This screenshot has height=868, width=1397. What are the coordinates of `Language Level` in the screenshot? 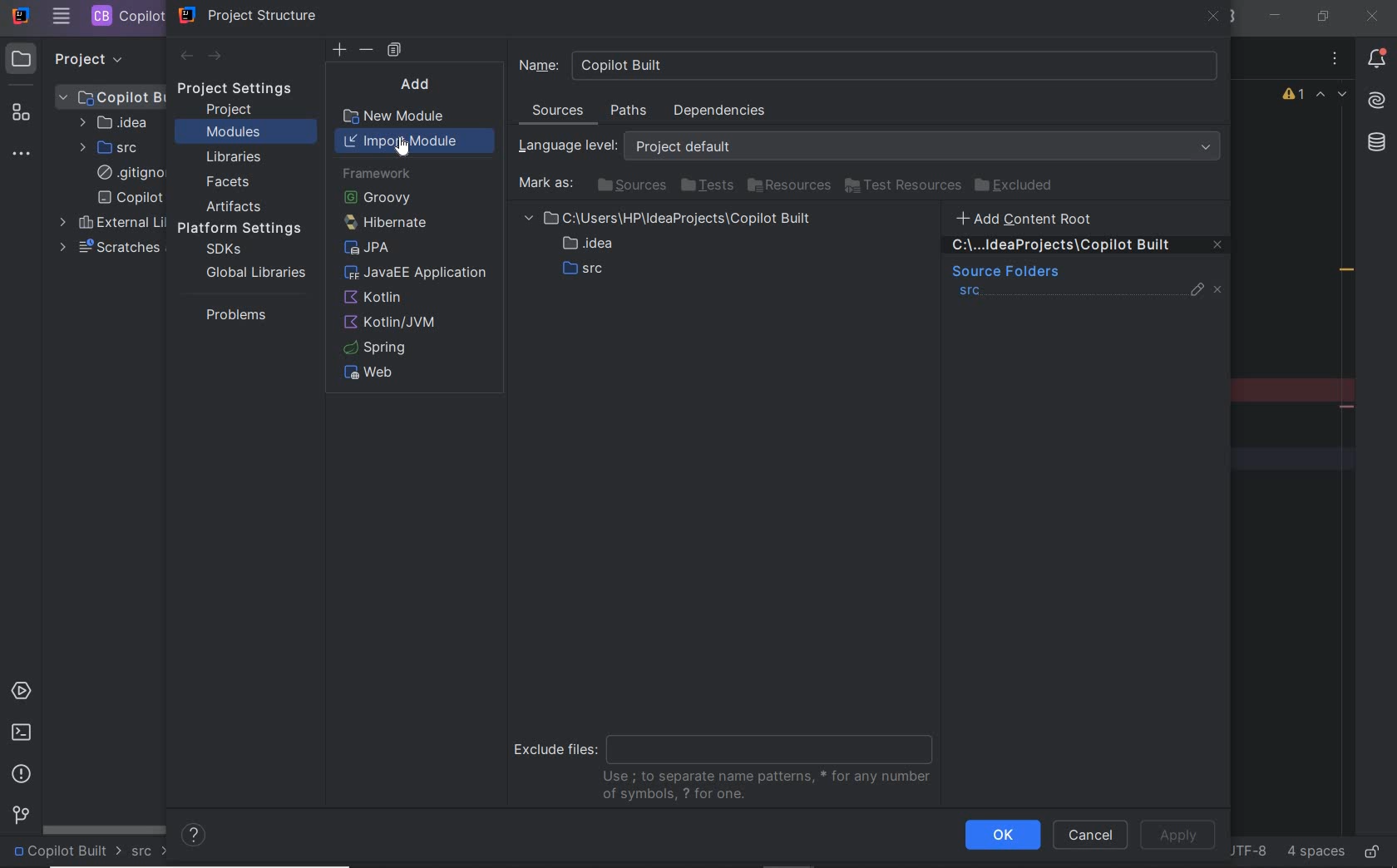 It's located at (873, 146).